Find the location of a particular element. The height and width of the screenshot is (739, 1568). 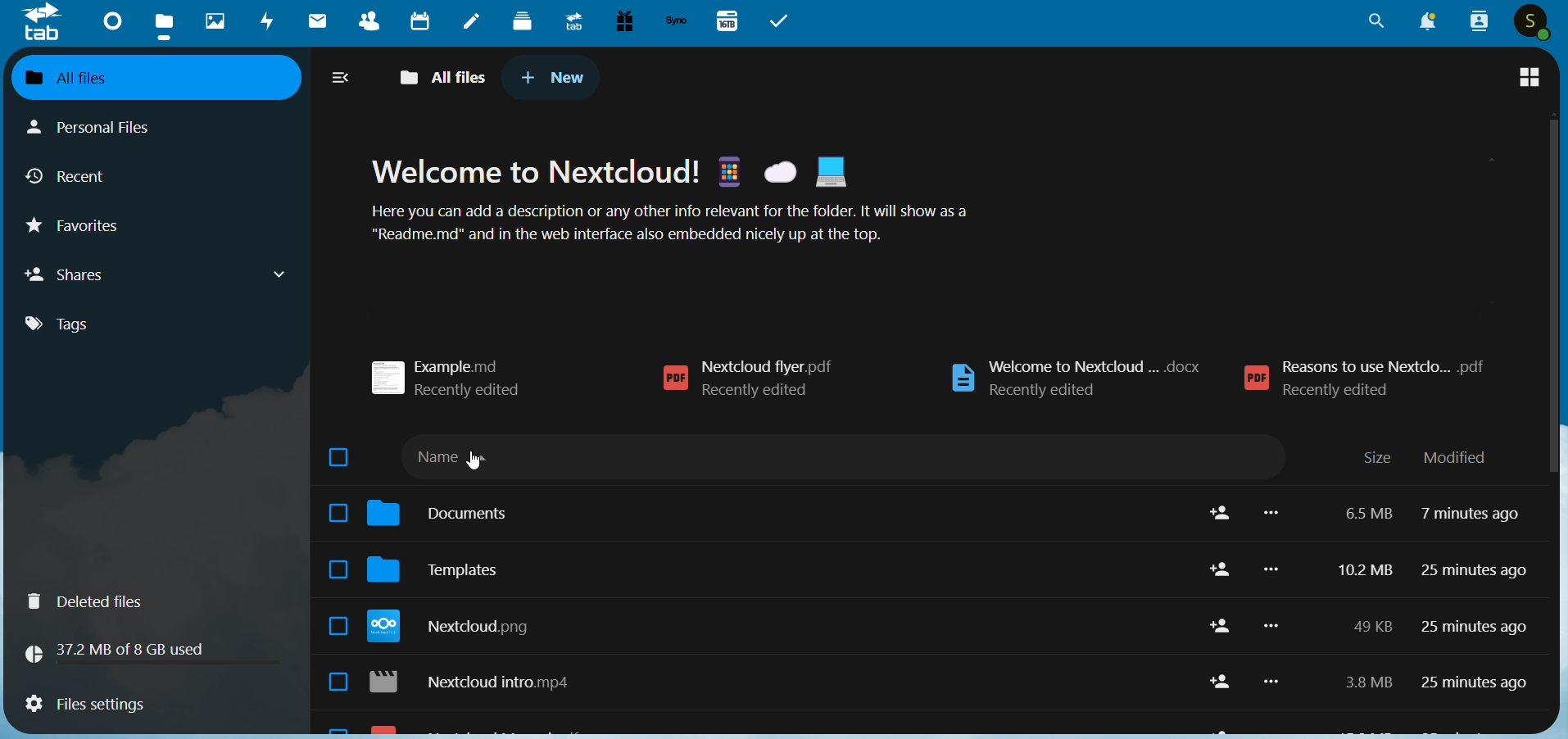

welcome to nextcloud... docx recently edited is located at coordinates (1088, 374).